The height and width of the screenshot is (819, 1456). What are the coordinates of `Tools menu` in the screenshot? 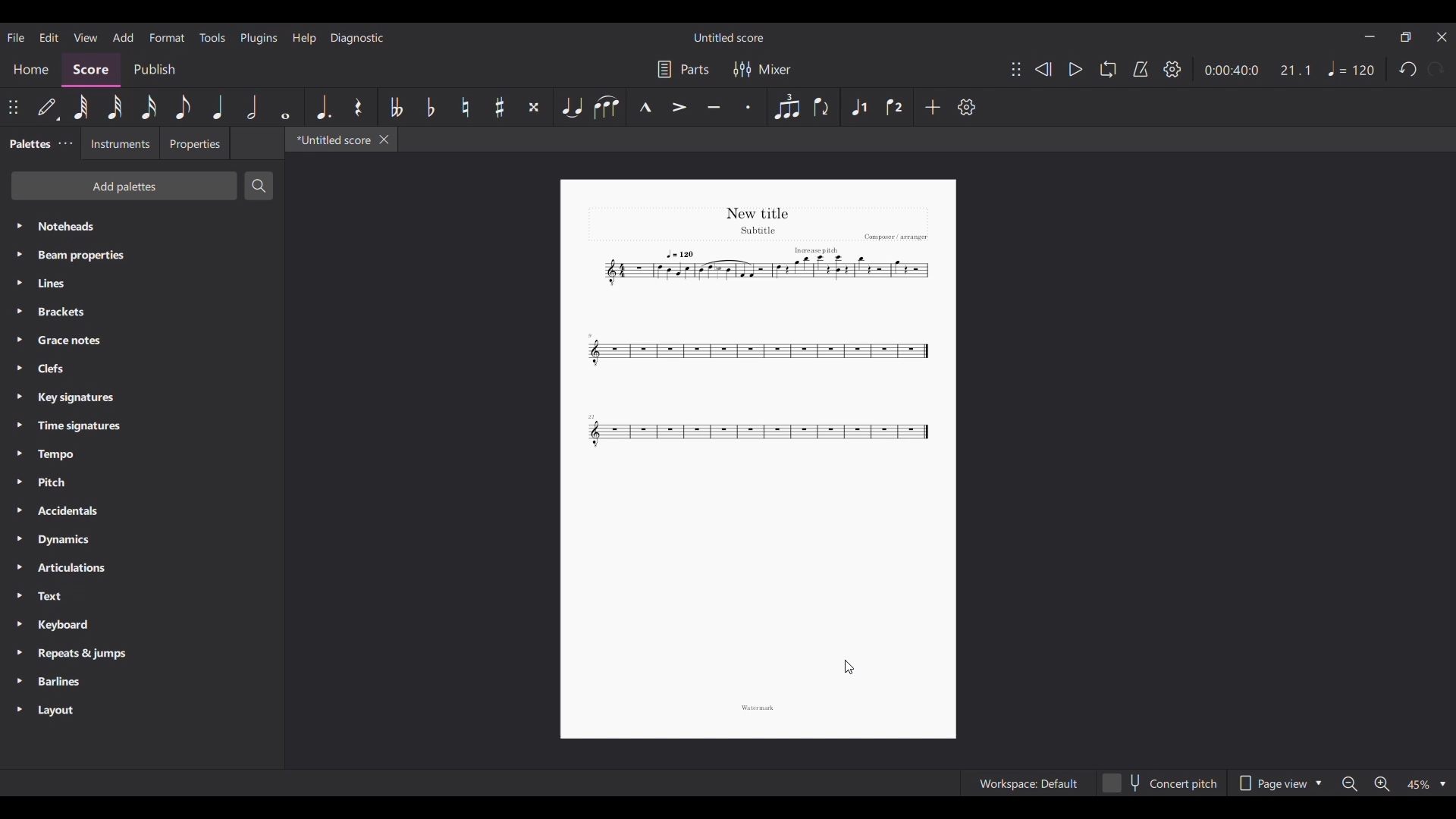 It's located at (212, 37).